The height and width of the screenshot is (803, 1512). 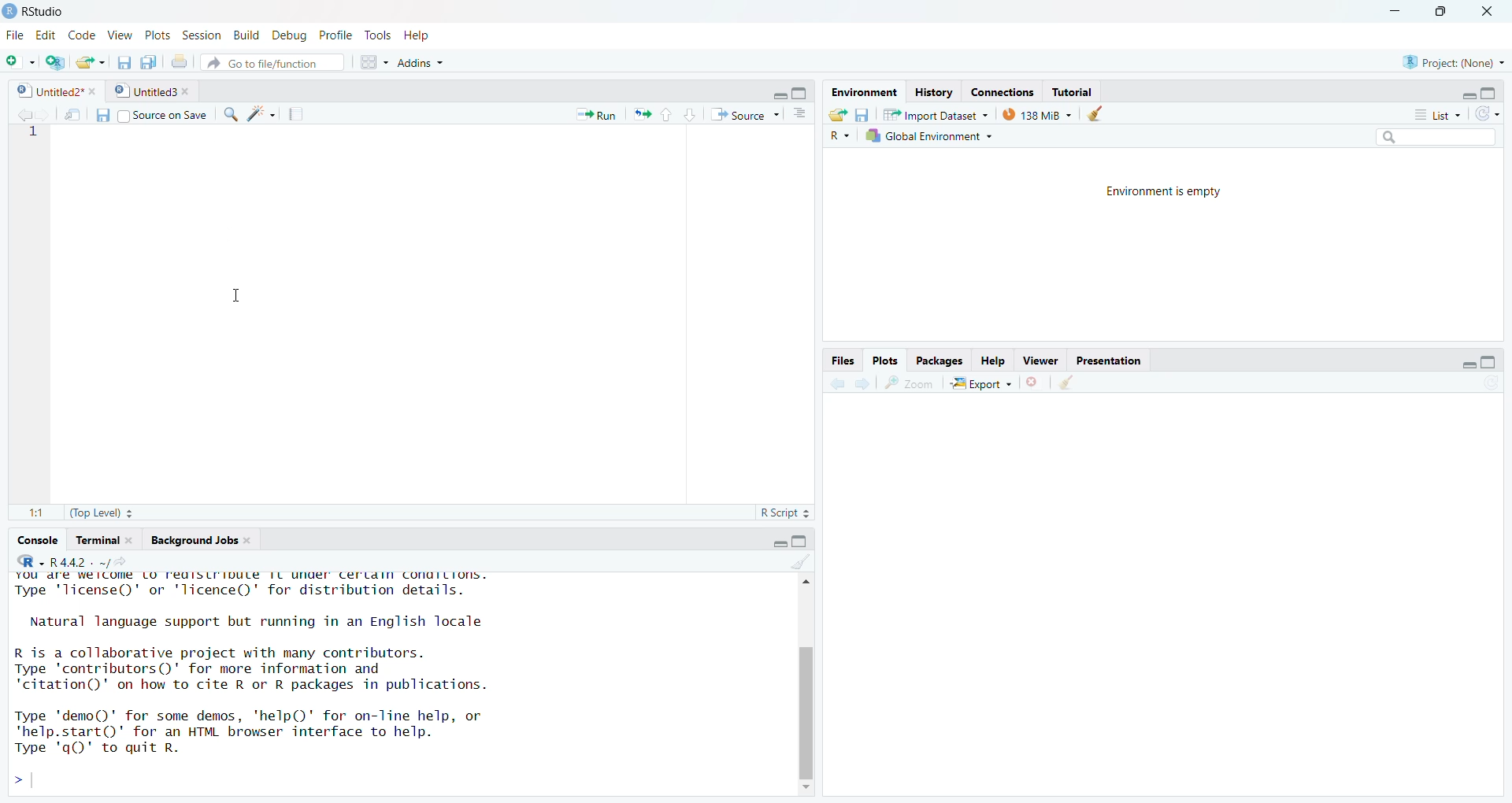 What do you see at coordinates (32, 542) in the screenshot?
I see `‘Console` at bounding box center [32, 542].